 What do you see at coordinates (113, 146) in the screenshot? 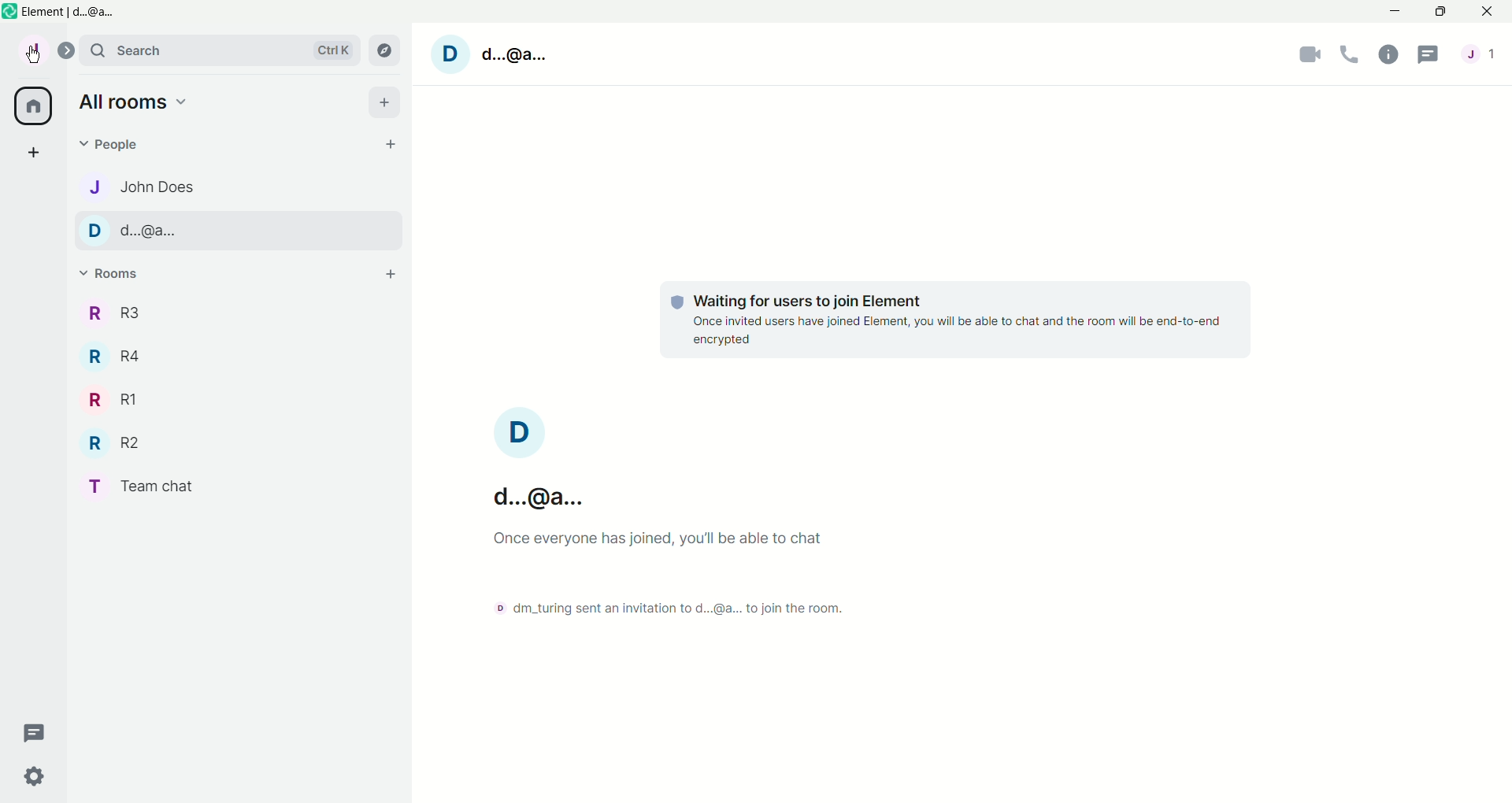
I see `People ` at bounding box center [113, 146].